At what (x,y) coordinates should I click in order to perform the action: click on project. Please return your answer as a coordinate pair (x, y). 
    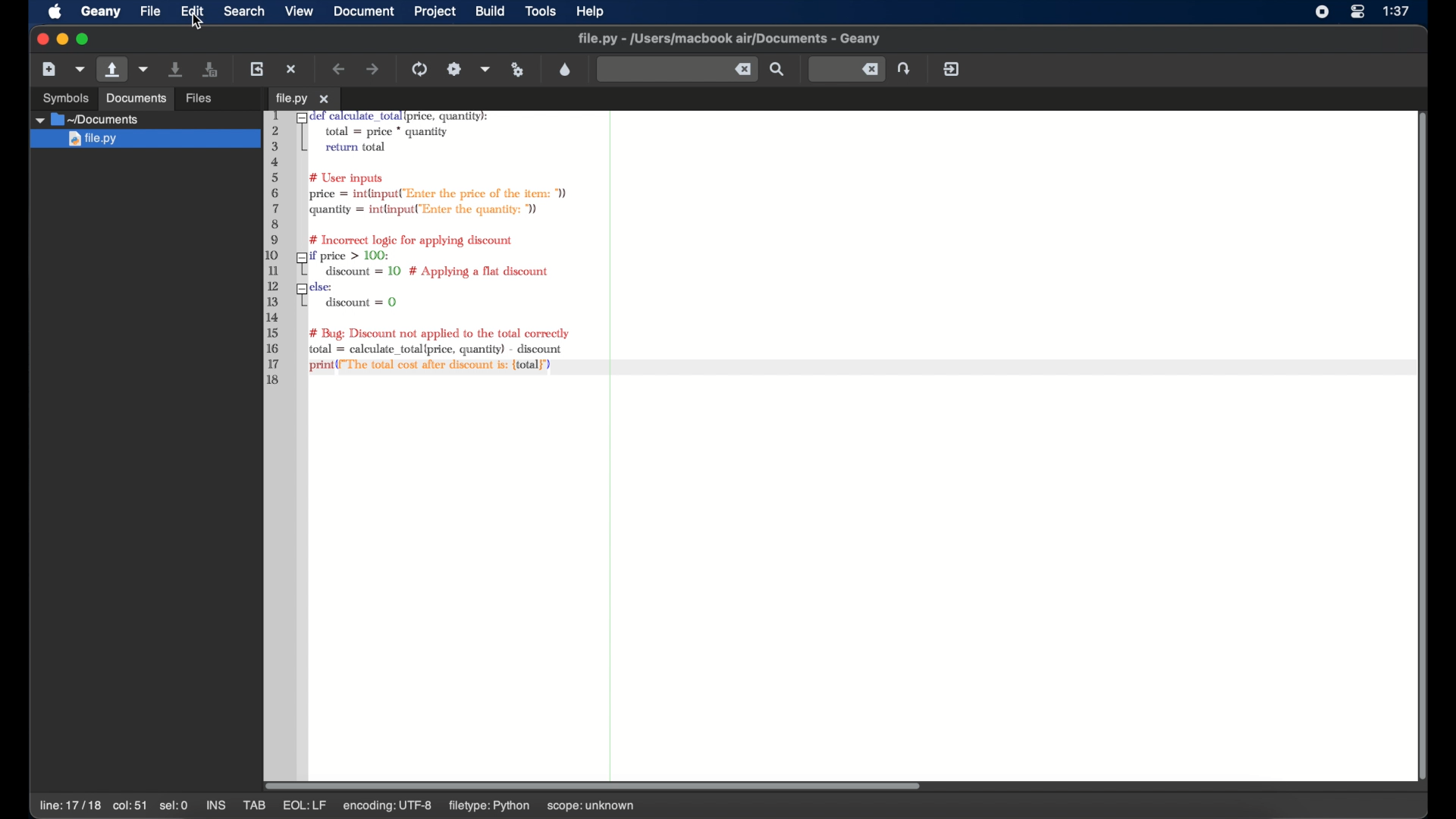
    Looking at the image, I should click on (435, 11).